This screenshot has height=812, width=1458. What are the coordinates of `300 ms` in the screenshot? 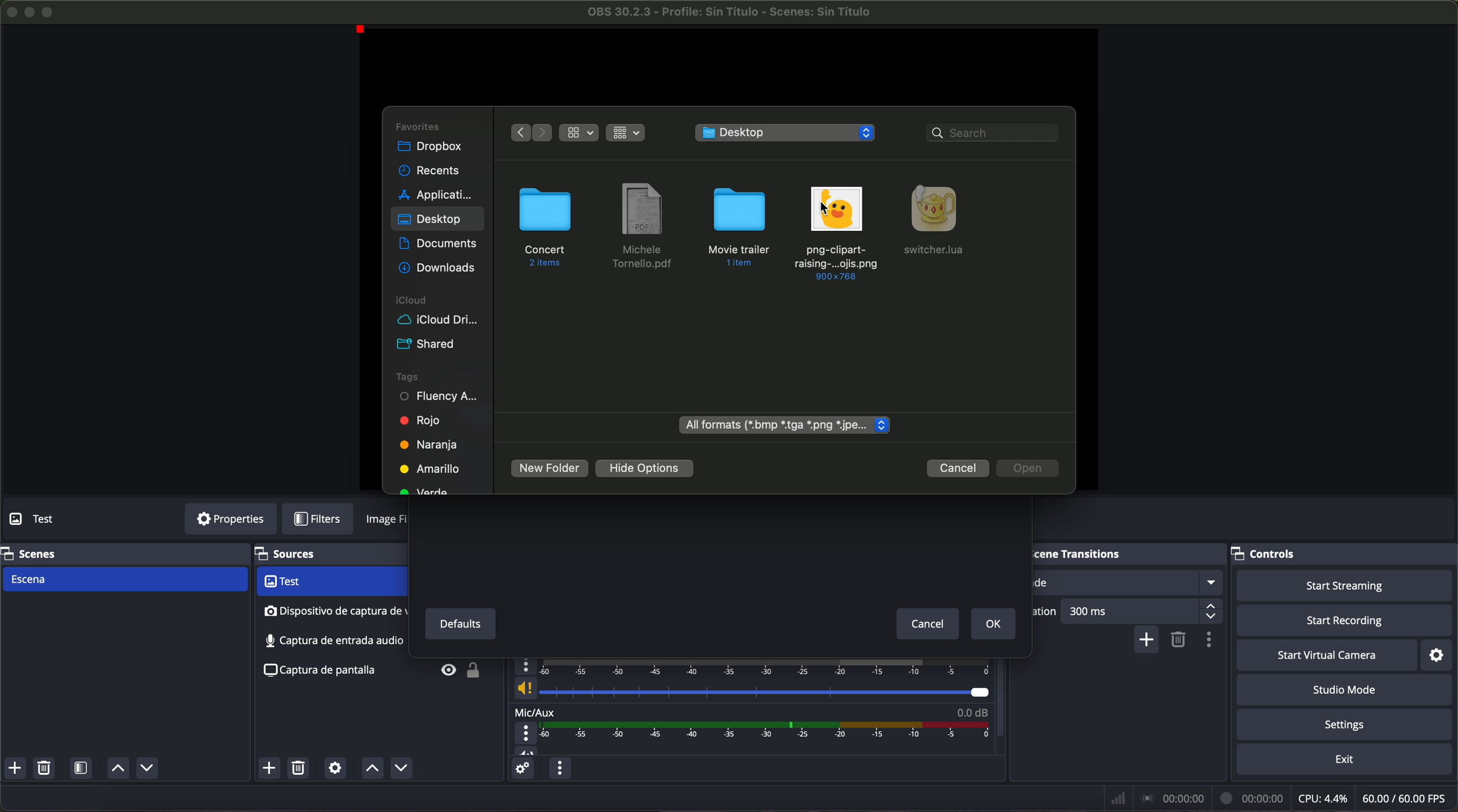 It's located at (1143, 611).